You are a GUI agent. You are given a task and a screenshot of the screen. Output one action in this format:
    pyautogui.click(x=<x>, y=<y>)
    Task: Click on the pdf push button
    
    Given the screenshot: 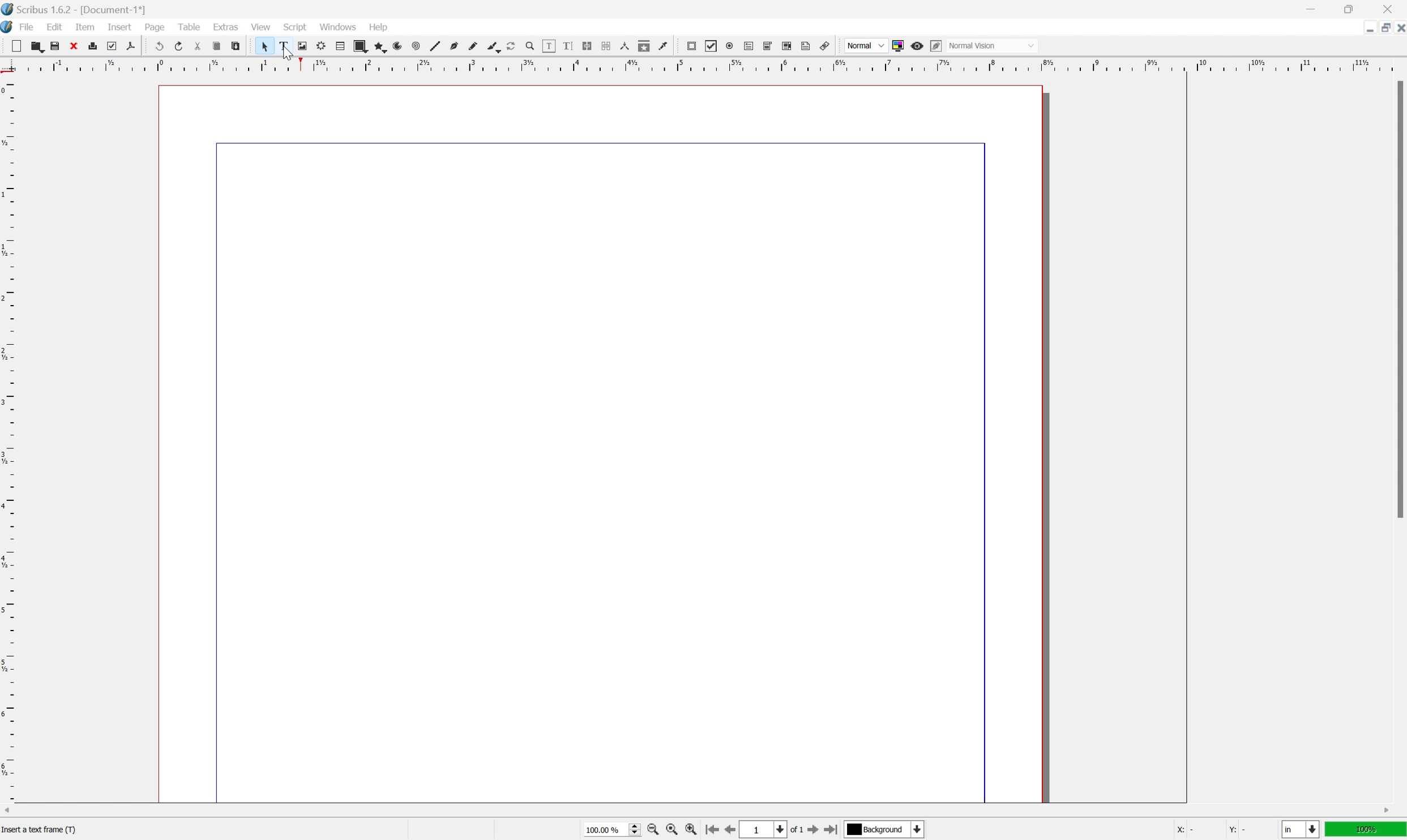 What is the action you would take?
    pyautogui.click(x=691, y=46)
    